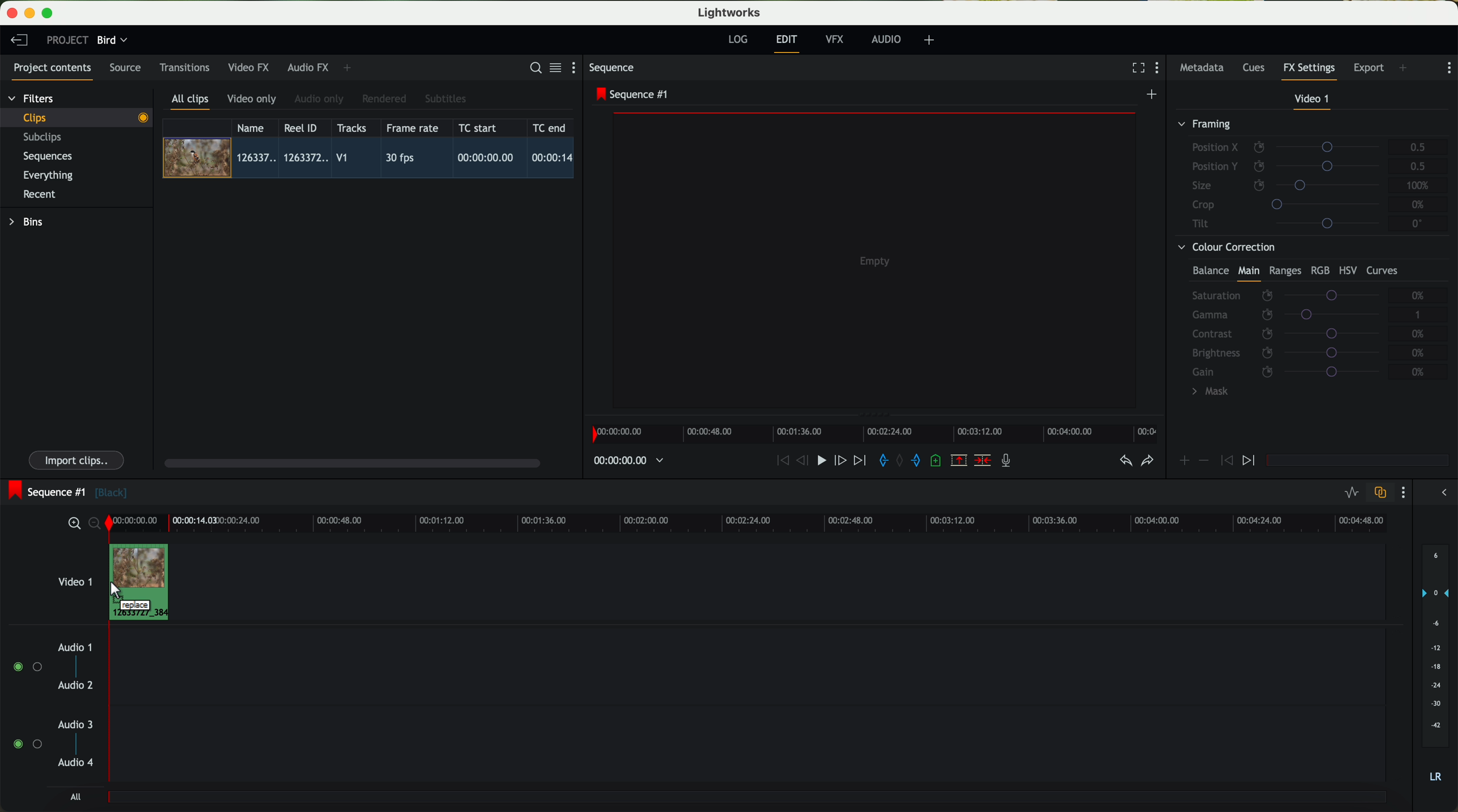  Describe the element at coordinates (788, 42) in the screenshot. I see `edit` at that location.